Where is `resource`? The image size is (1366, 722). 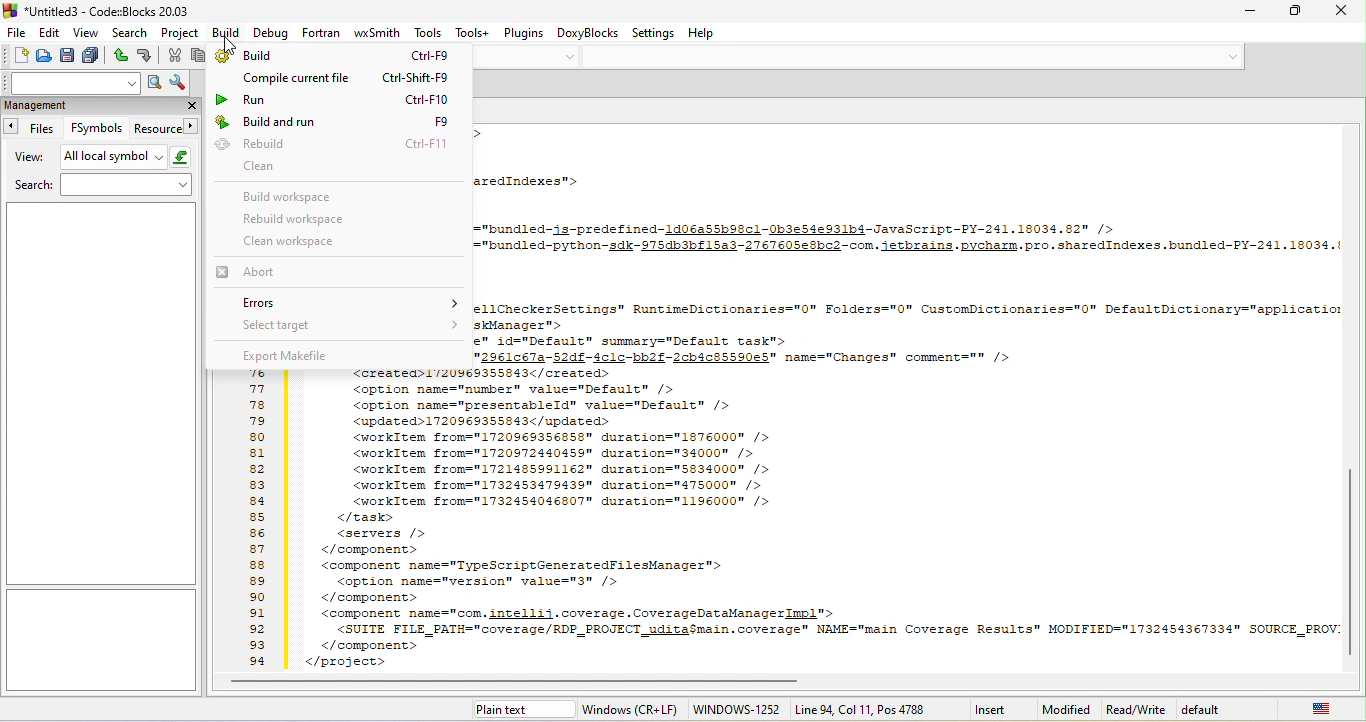
resource is located at coordinates (165, 130).